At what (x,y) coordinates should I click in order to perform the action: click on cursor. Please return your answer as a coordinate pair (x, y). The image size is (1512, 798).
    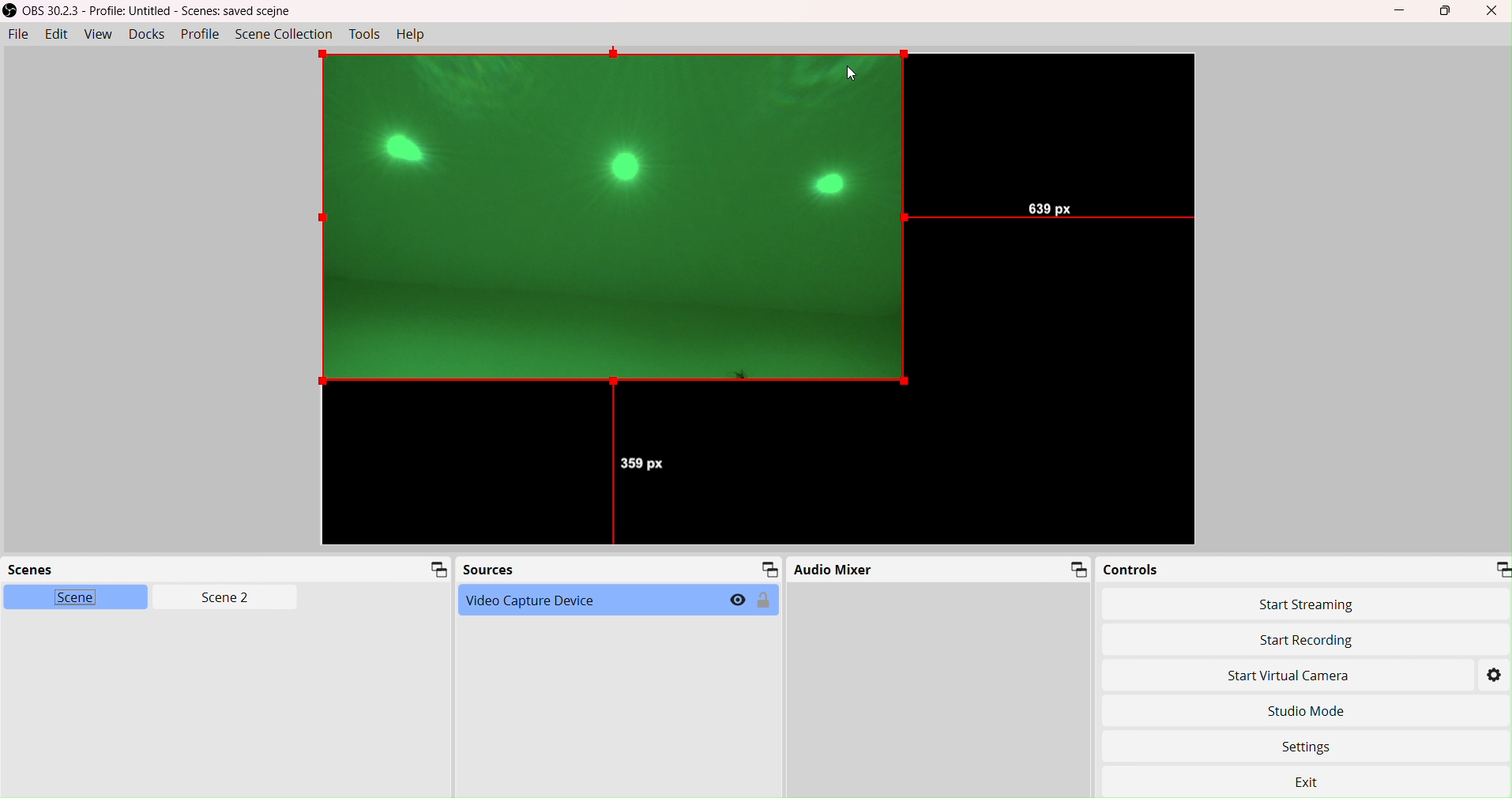
    Looking at the image, I should click on (855, 76).